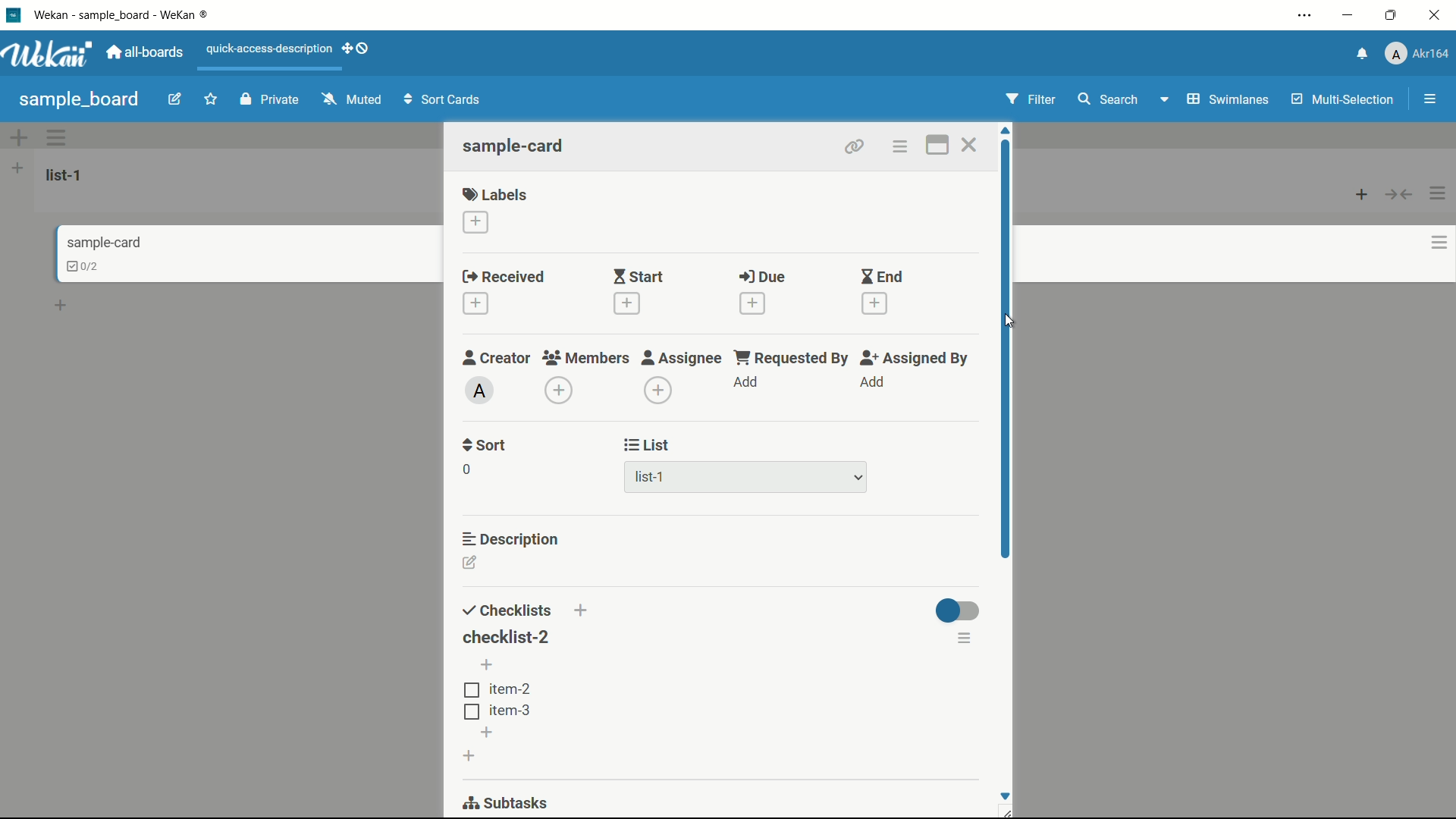 This screenshot has width=1456, height=819. I want to click on due, so click(765, 278).